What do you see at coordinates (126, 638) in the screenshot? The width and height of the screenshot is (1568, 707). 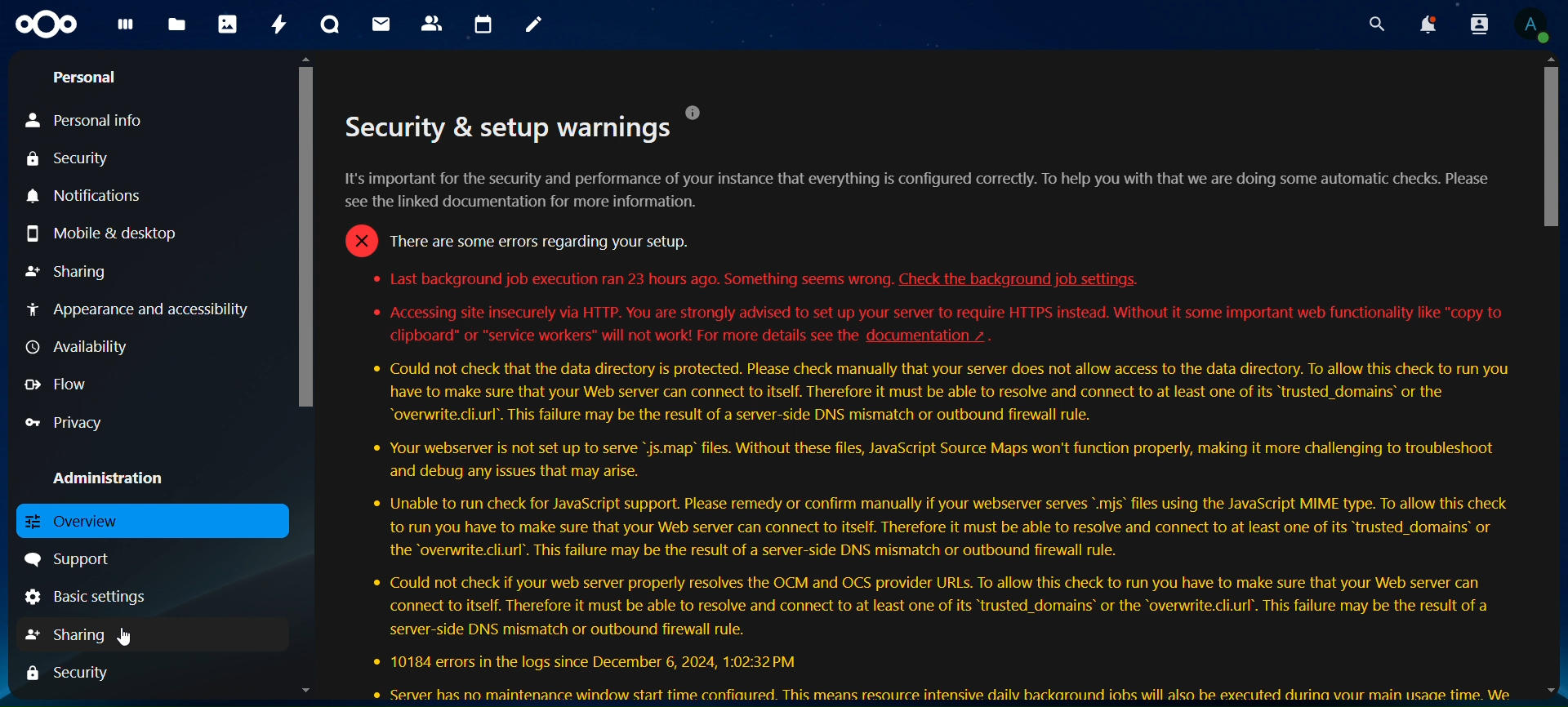 I see `Cursor` at bounding box center [126, 638].